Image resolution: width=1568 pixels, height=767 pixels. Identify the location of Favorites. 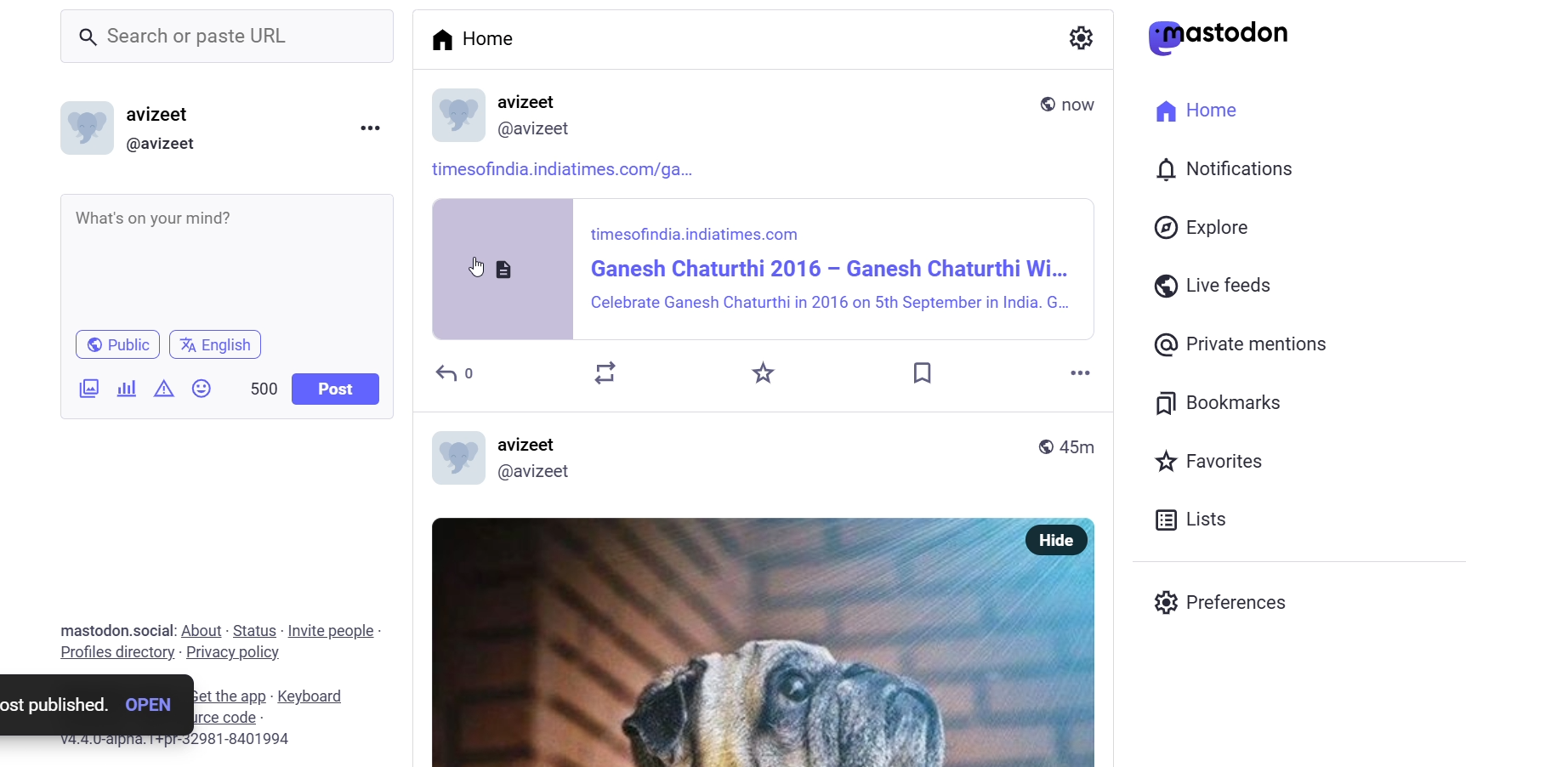
(1213, 465).